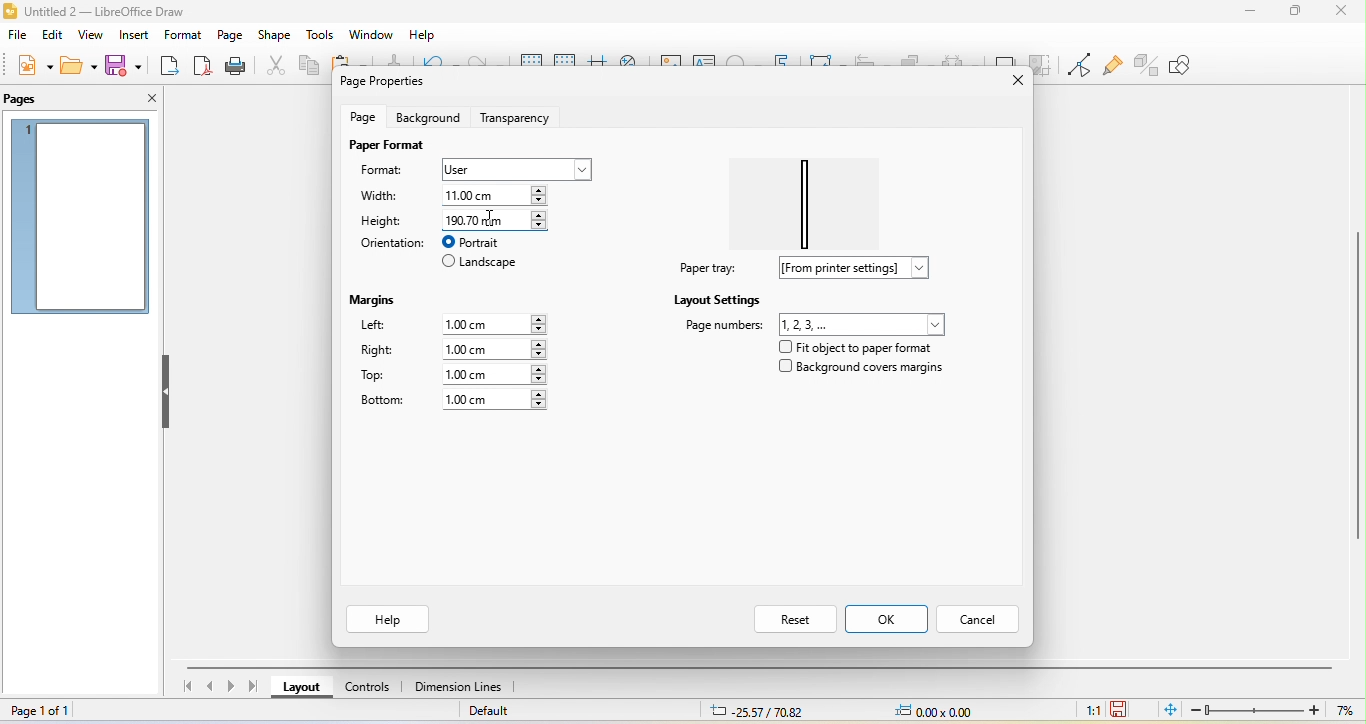 The image size is (1366, 724). Describe the element at coordinates (77, 65) in the screenshot. I see `open` at that location.